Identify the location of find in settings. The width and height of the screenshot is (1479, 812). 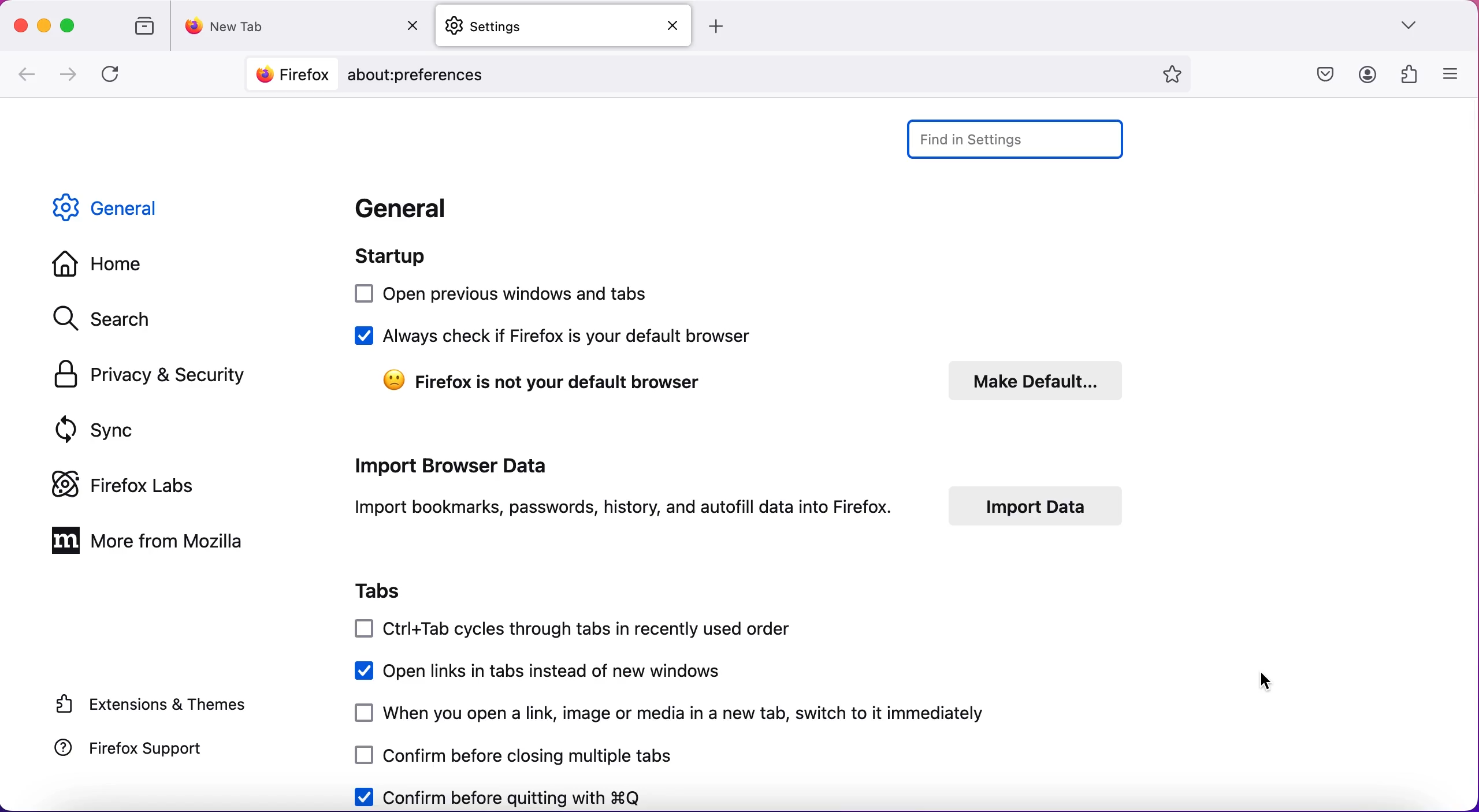
(1019, 139).